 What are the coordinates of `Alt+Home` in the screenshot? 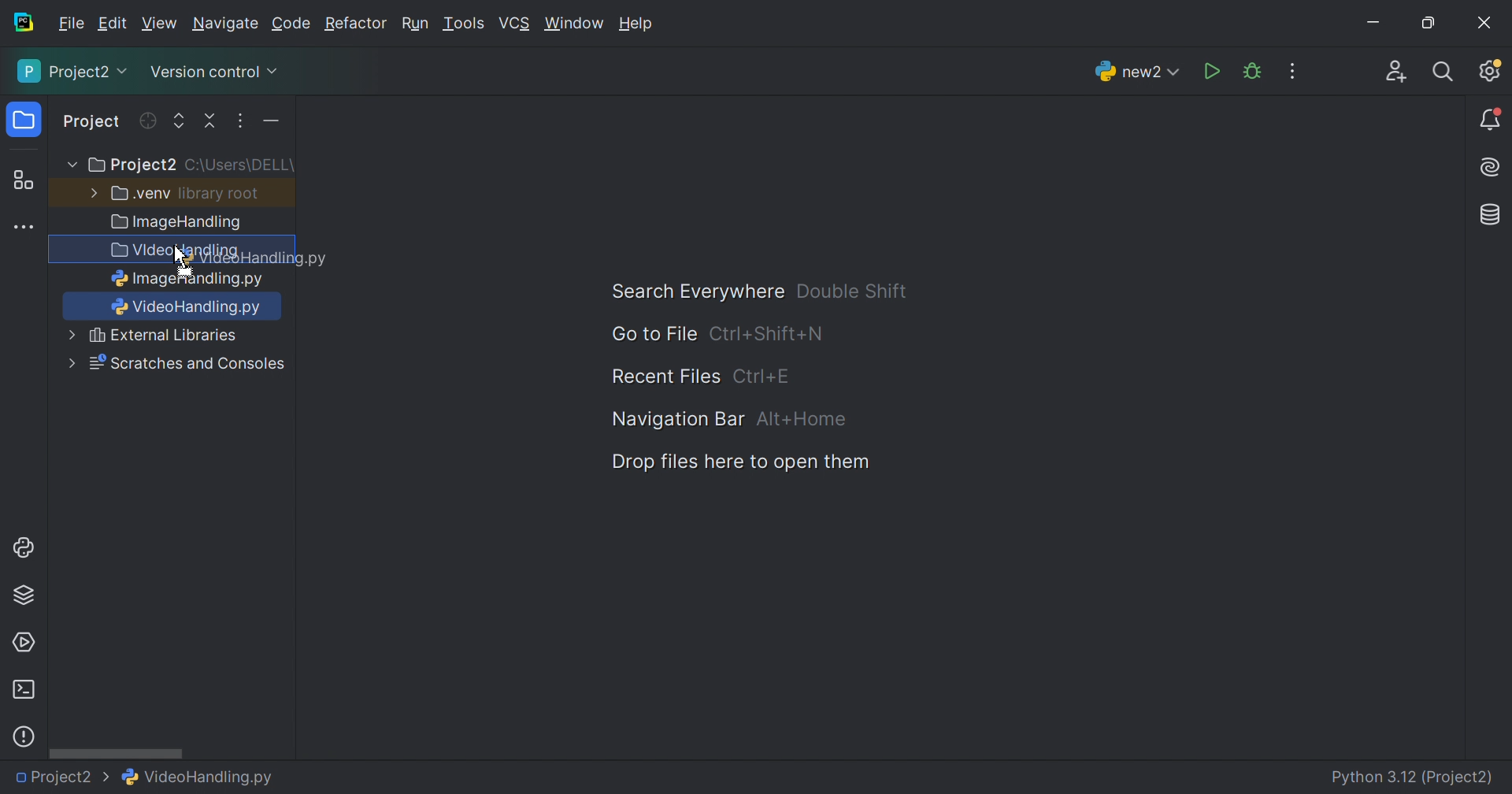 It's located at (803, 420).